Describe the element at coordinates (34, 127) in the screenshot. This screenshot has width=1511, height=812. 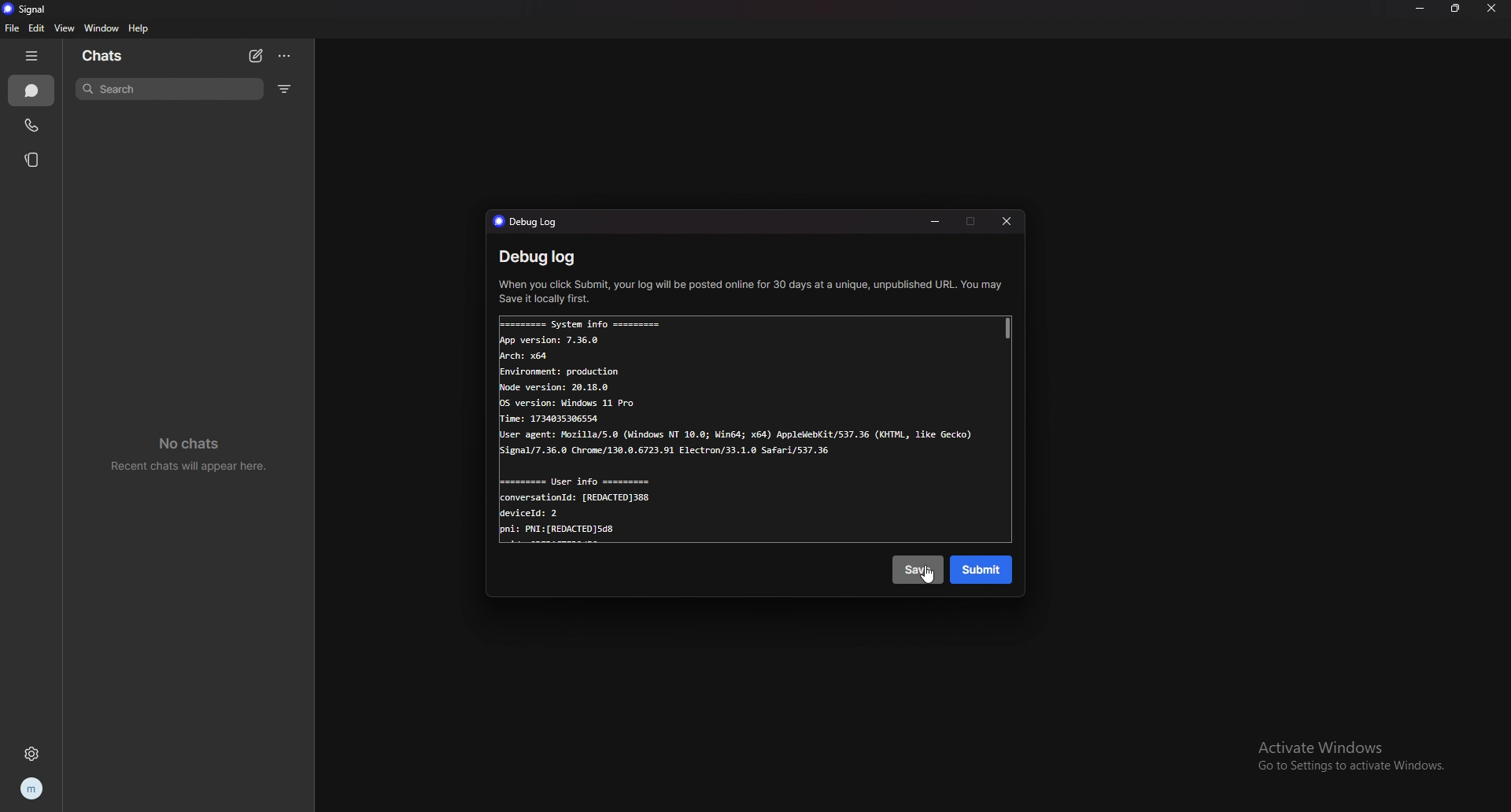
I see `calls` at that location.